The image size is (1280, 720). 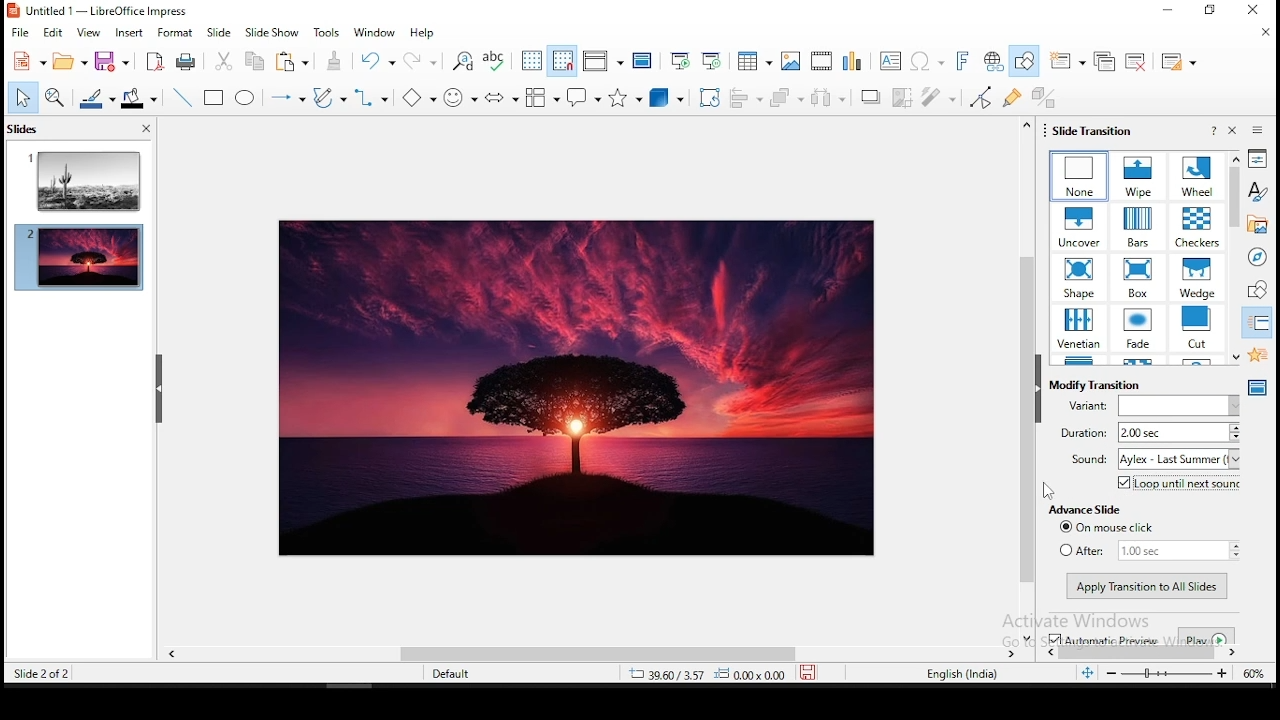 I want to click on close window, so click(x=1251, y=11).